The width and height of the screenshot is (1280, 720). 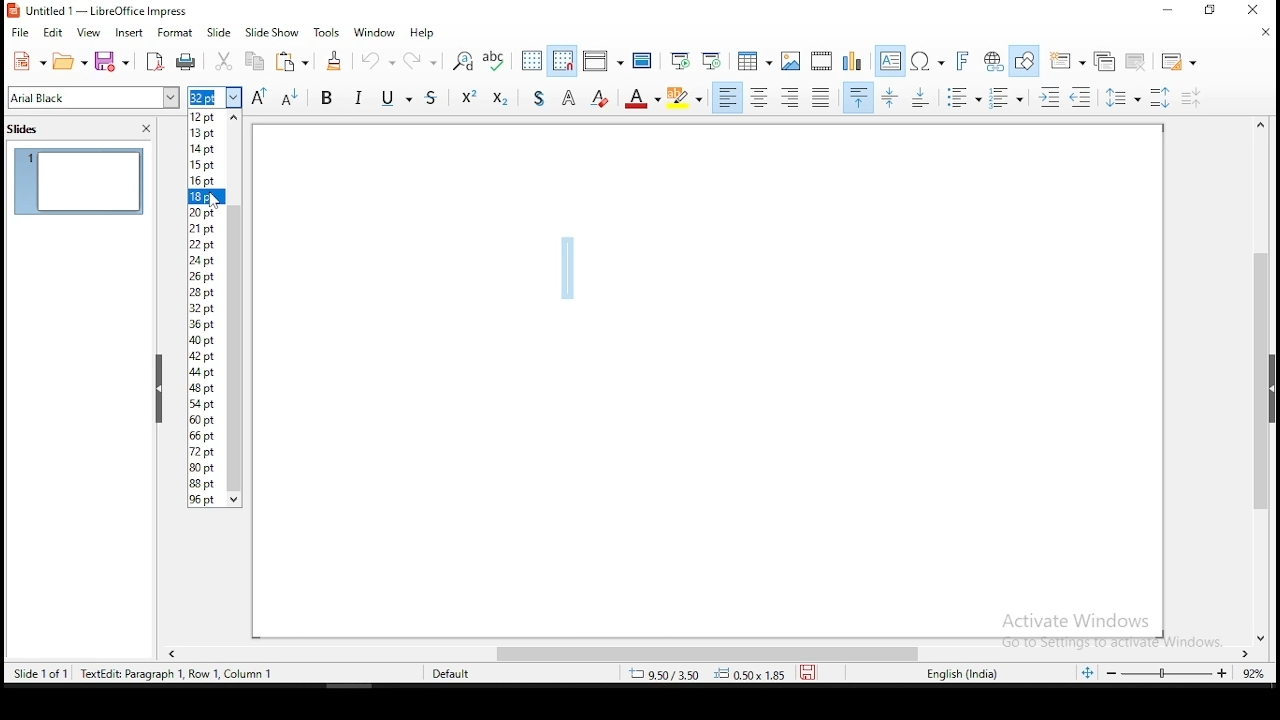 I want to click on show draw functions, so click(x=1024, y=62).